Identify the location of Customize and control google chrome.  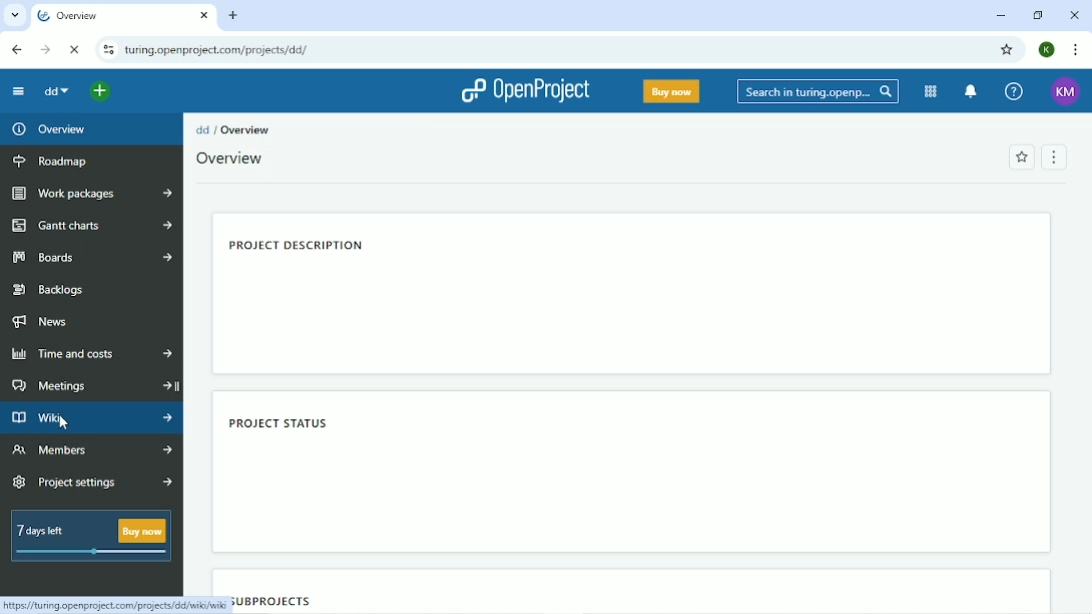
(1074, 49).